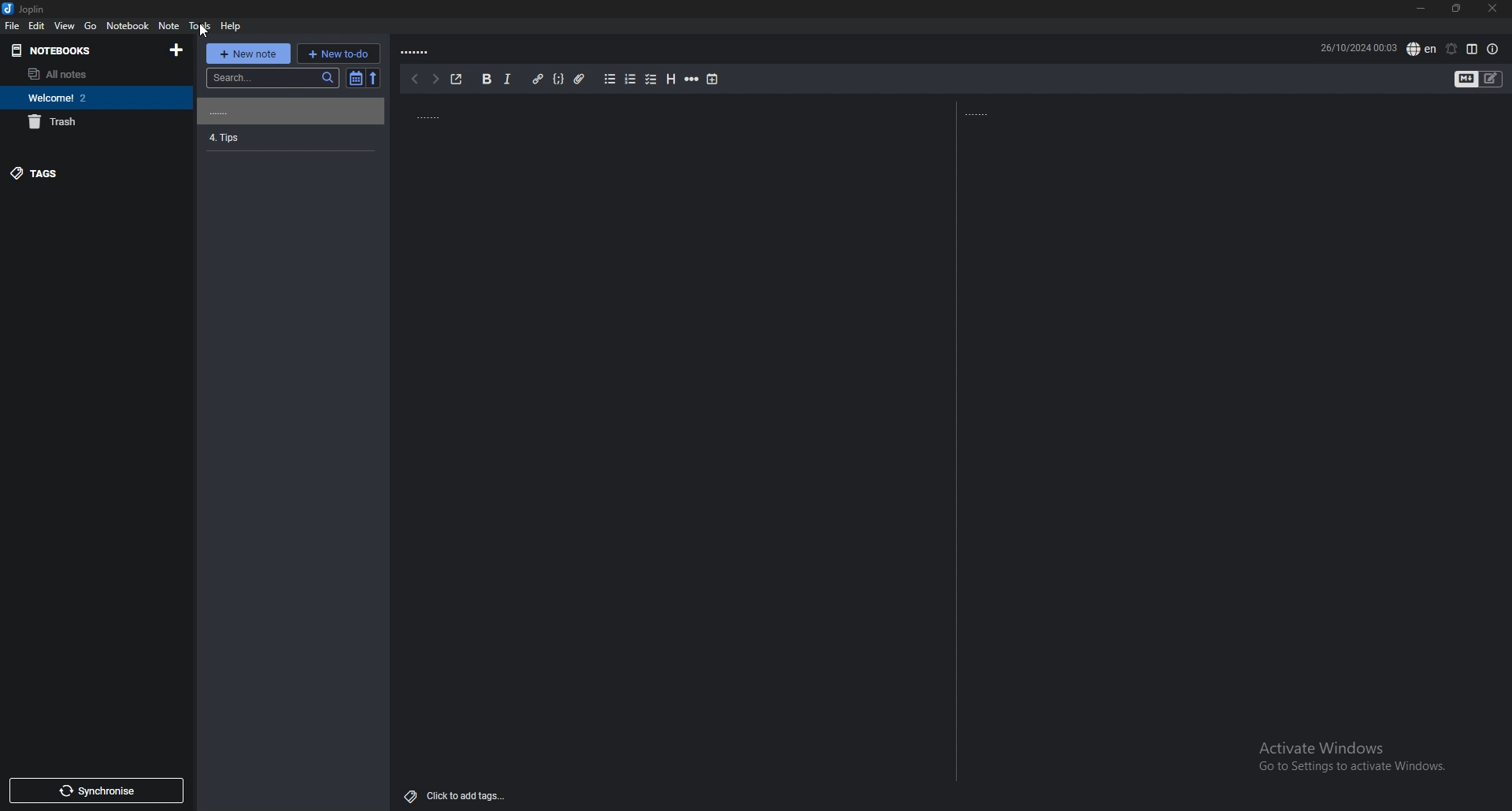 The image size is (1512, 811). I want to click on notebook, so click(128, 25).